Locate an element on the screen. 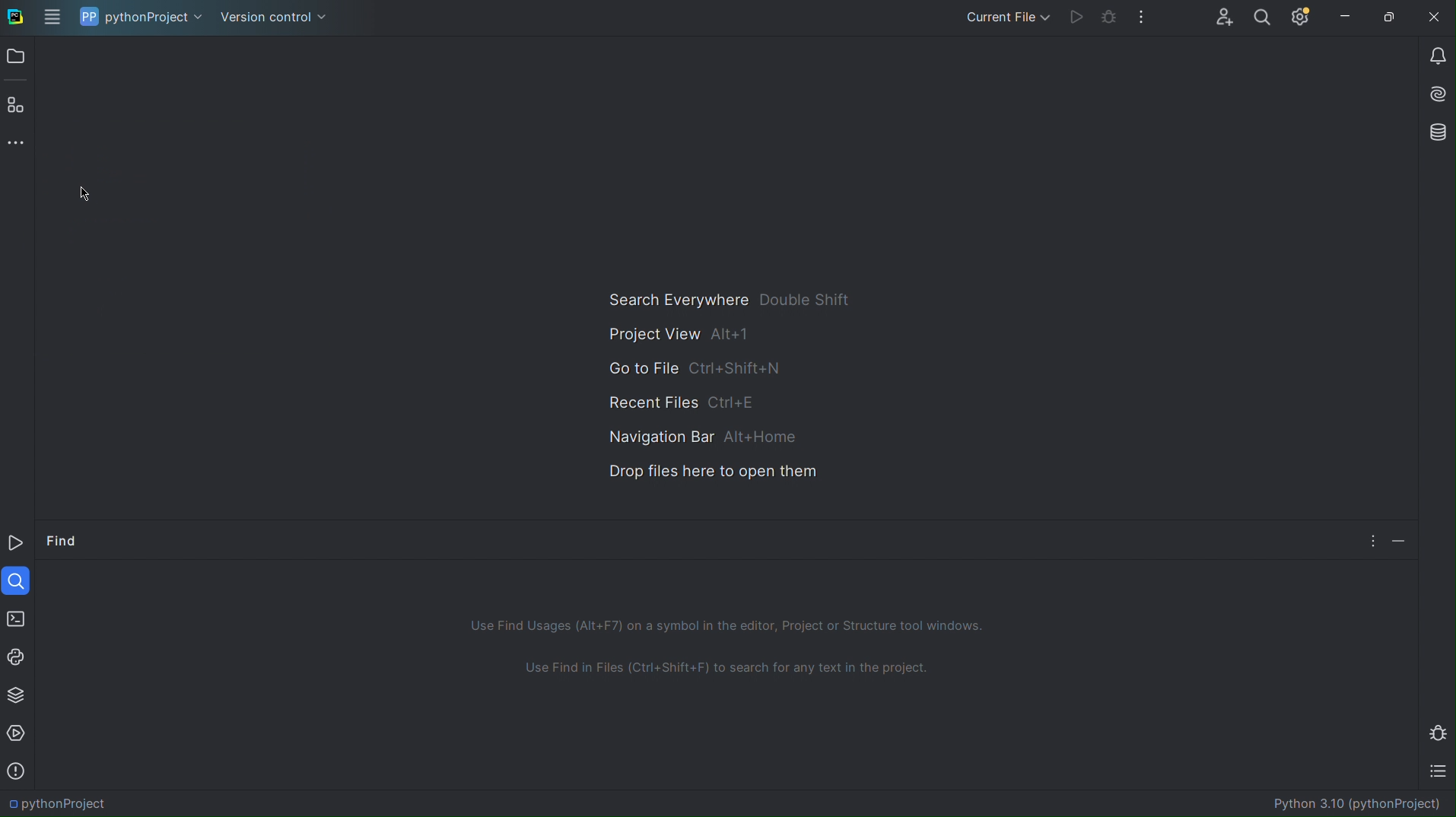 The width and height of the screenshot is (1456, 817). Terminal is located at coordinates (17, 620).